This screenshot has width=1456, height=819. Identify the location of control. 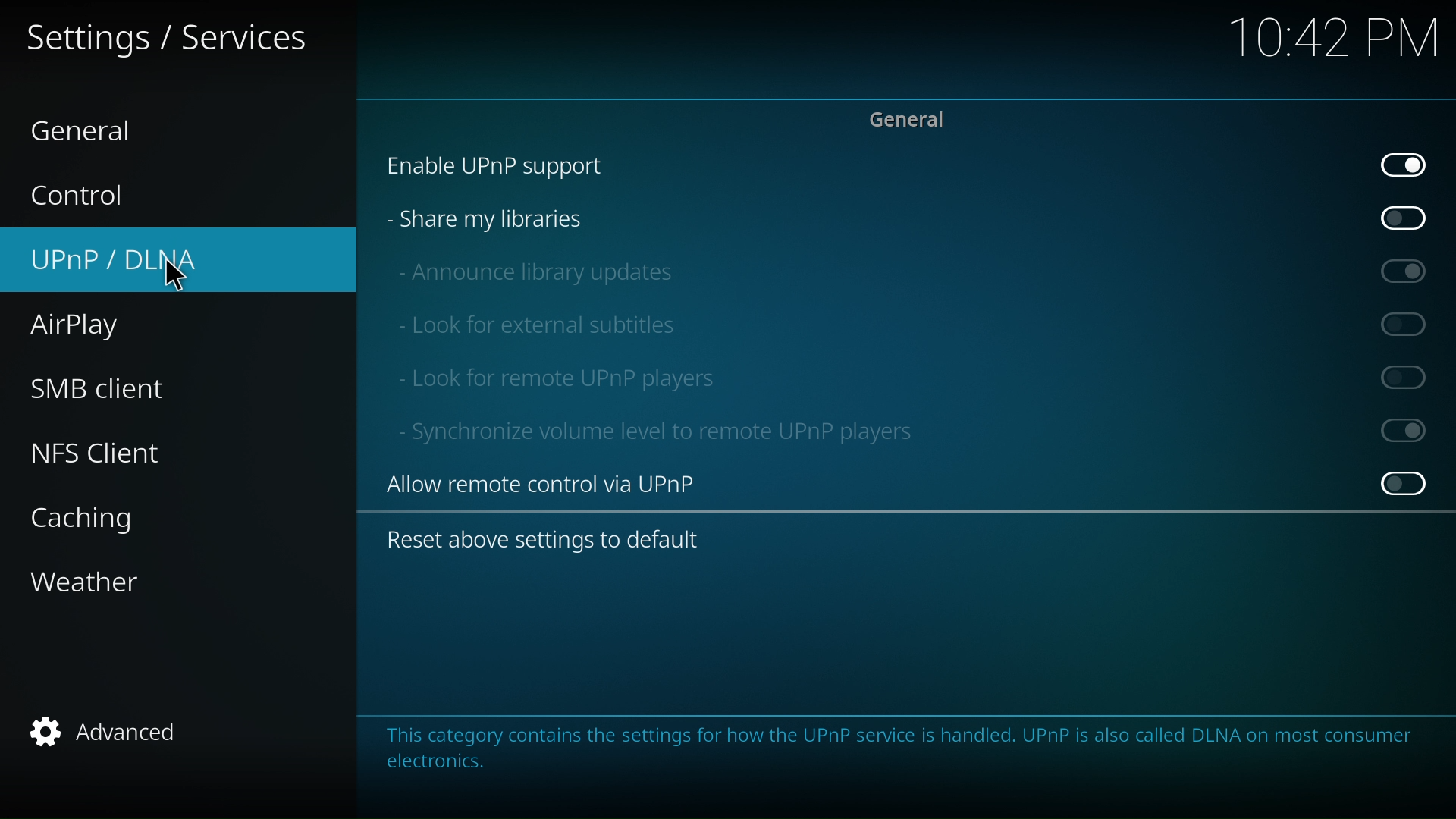
(89, 197).